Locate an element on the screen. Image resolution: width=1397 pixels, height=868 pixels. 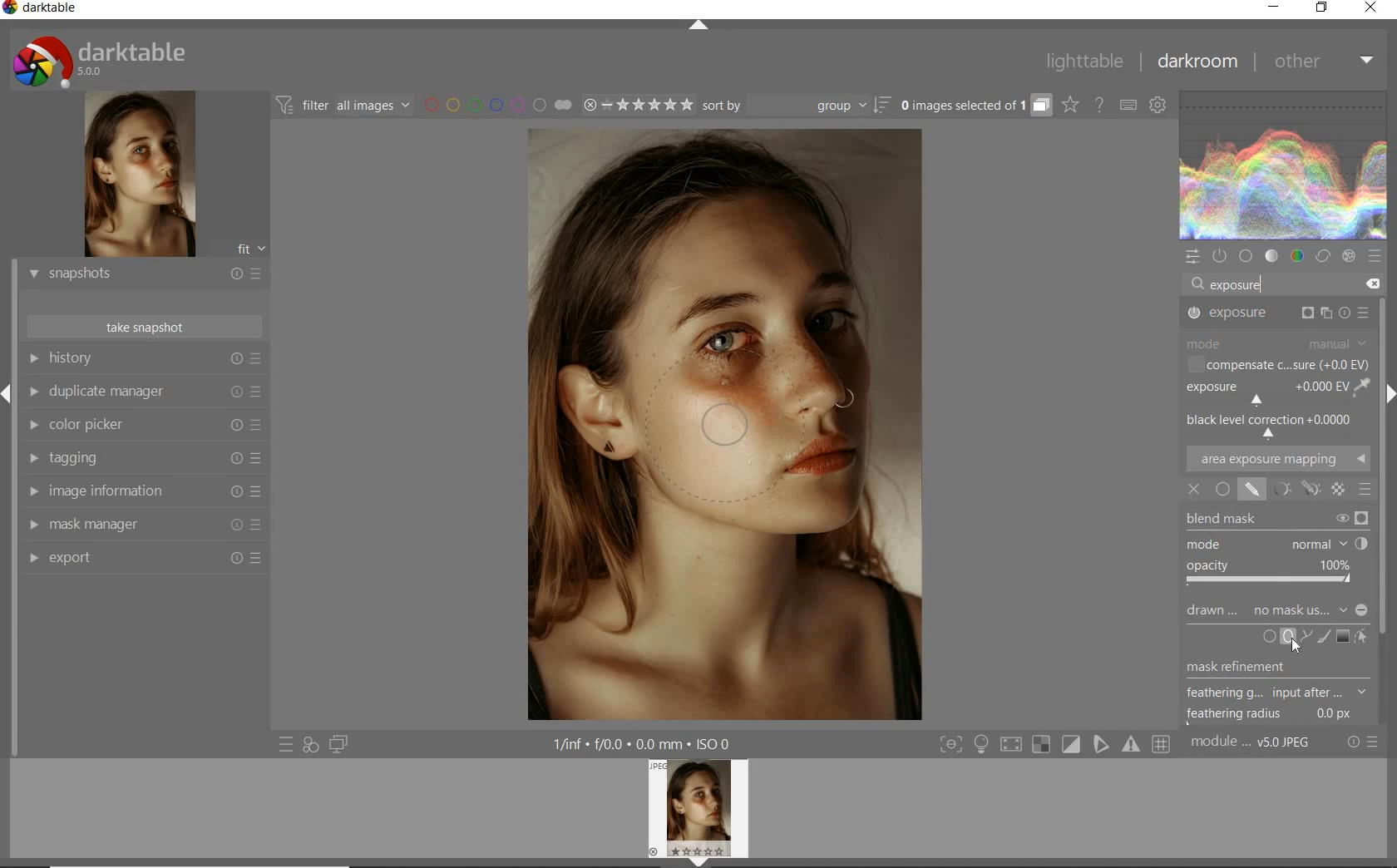
snapshots is located at coordinates (142, 274).